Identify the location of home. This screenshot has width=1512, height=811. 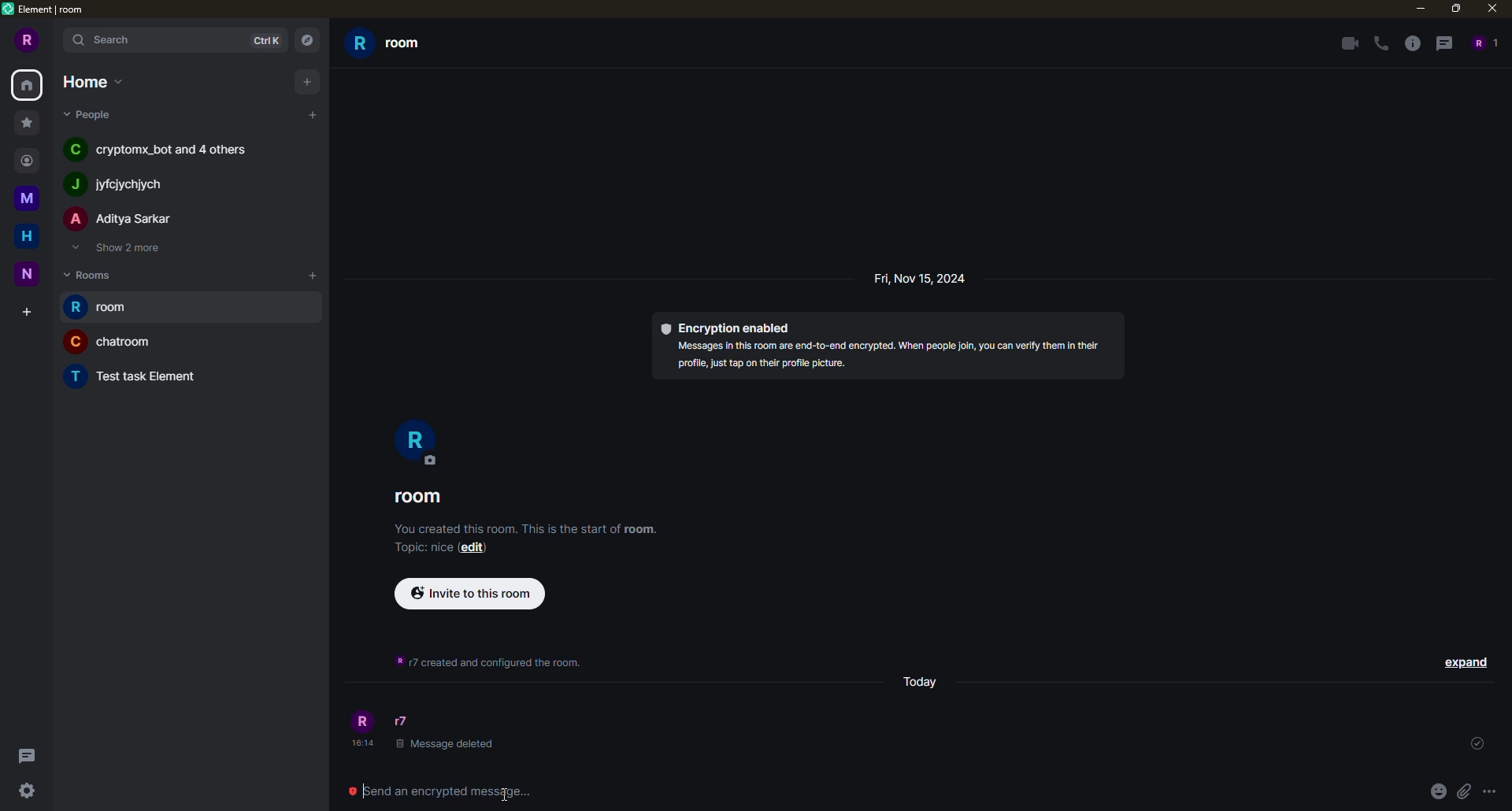
(92, 80).